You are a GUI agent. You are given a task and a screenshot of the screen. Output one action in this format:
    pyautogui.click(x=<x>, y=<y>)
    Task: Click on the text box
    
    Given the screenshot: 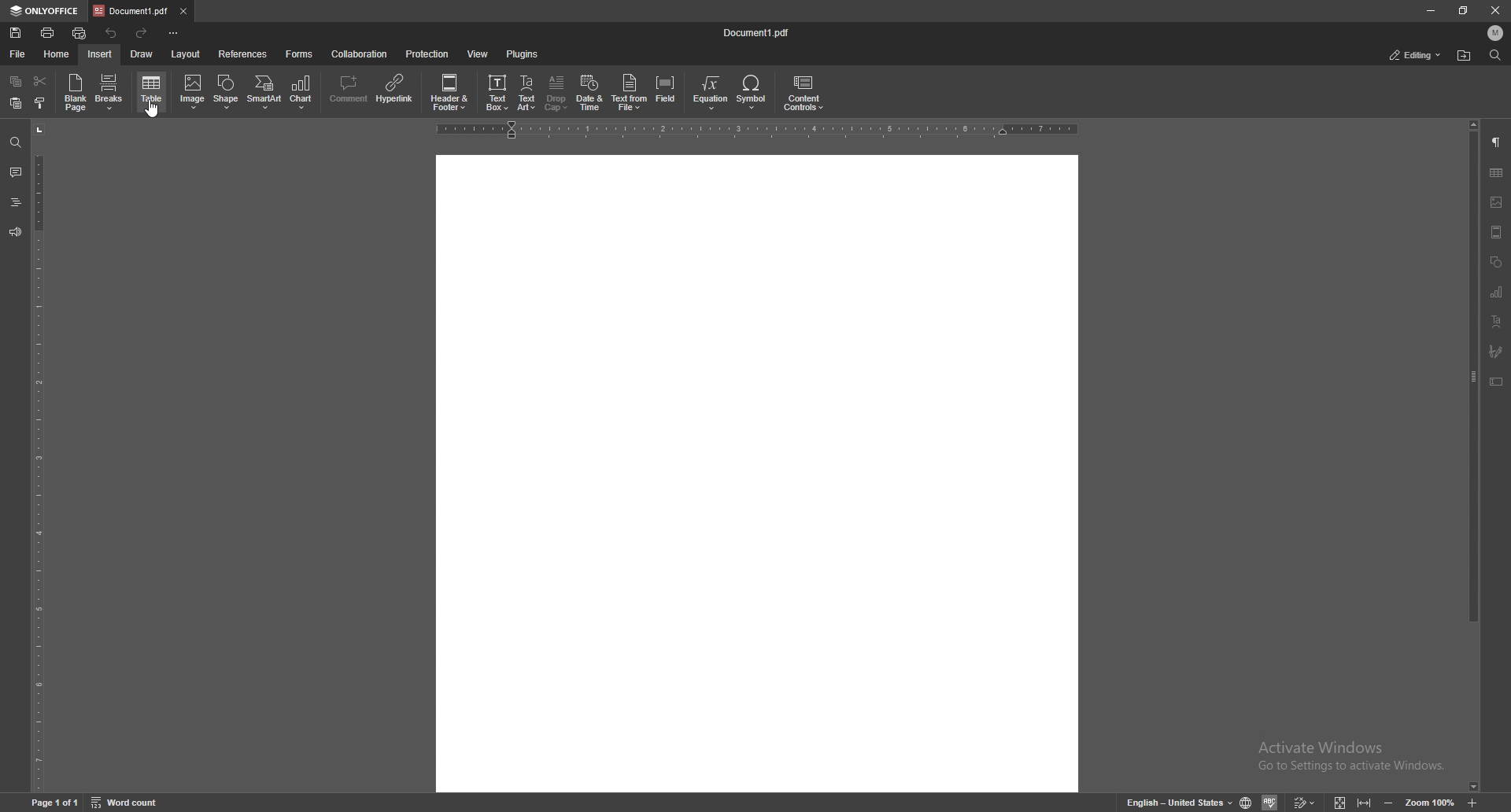 What is the action you would take?
    pyautogui.click(x=1498, y=382)
    